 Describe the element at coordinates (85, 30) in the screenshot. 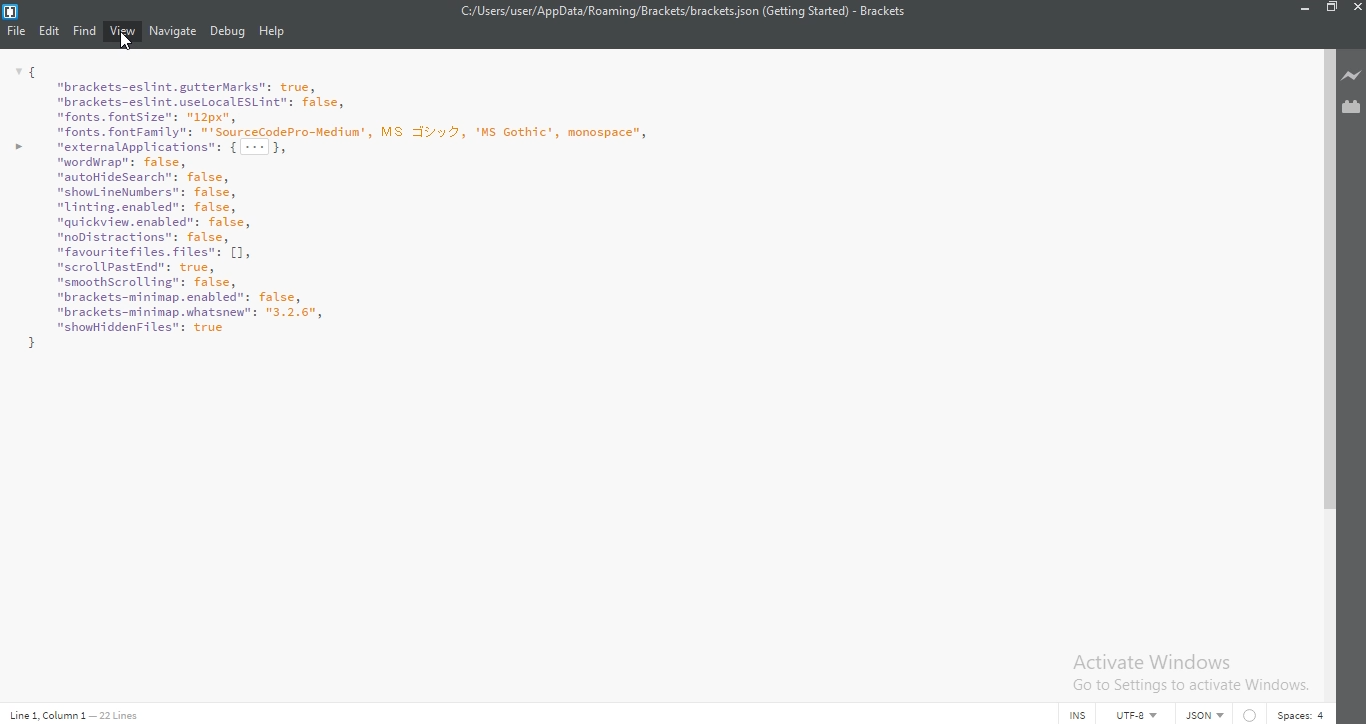

I see `Find` at that location.